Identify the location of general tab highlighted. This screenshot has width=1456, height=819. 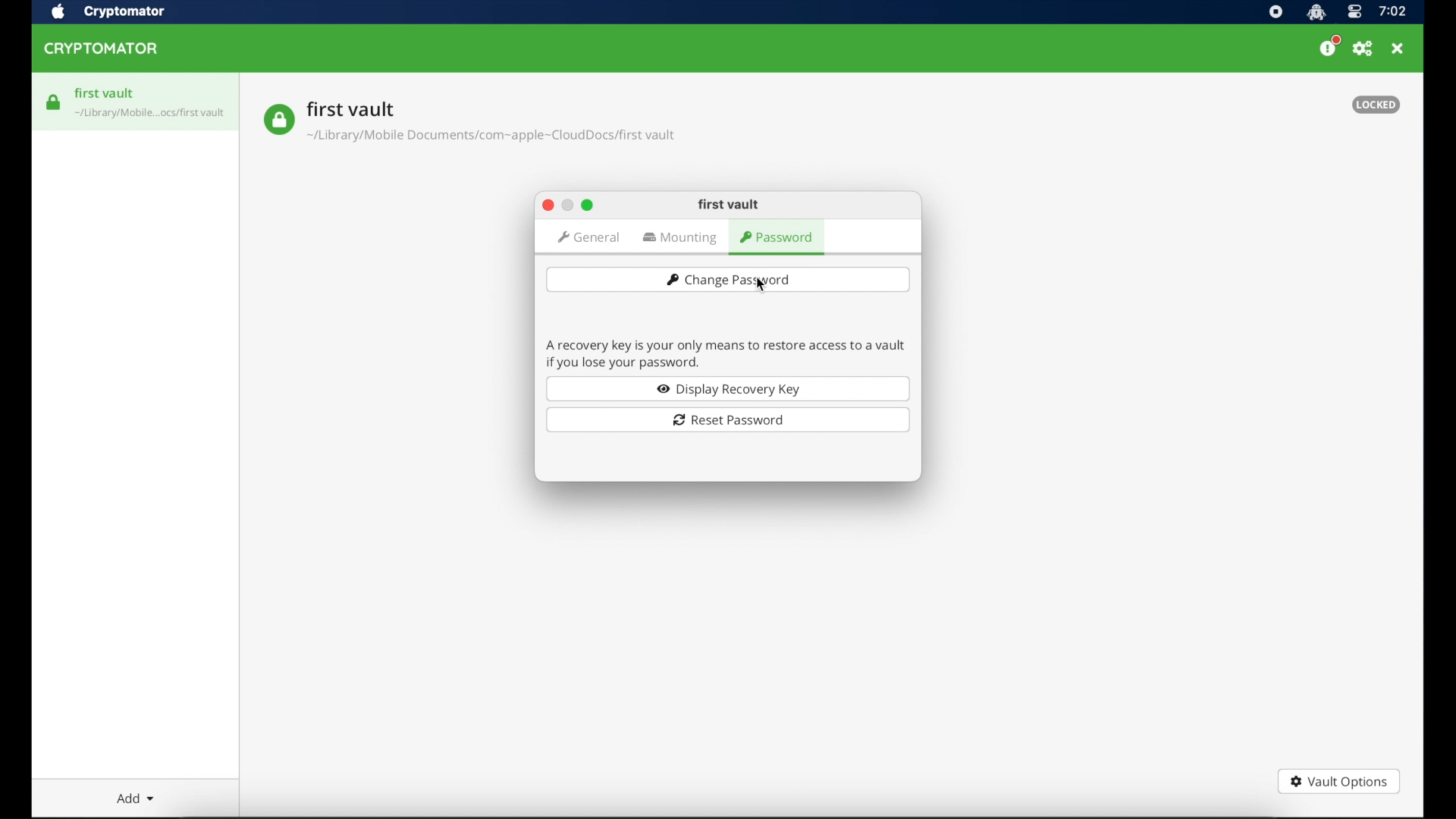
(588, 237).